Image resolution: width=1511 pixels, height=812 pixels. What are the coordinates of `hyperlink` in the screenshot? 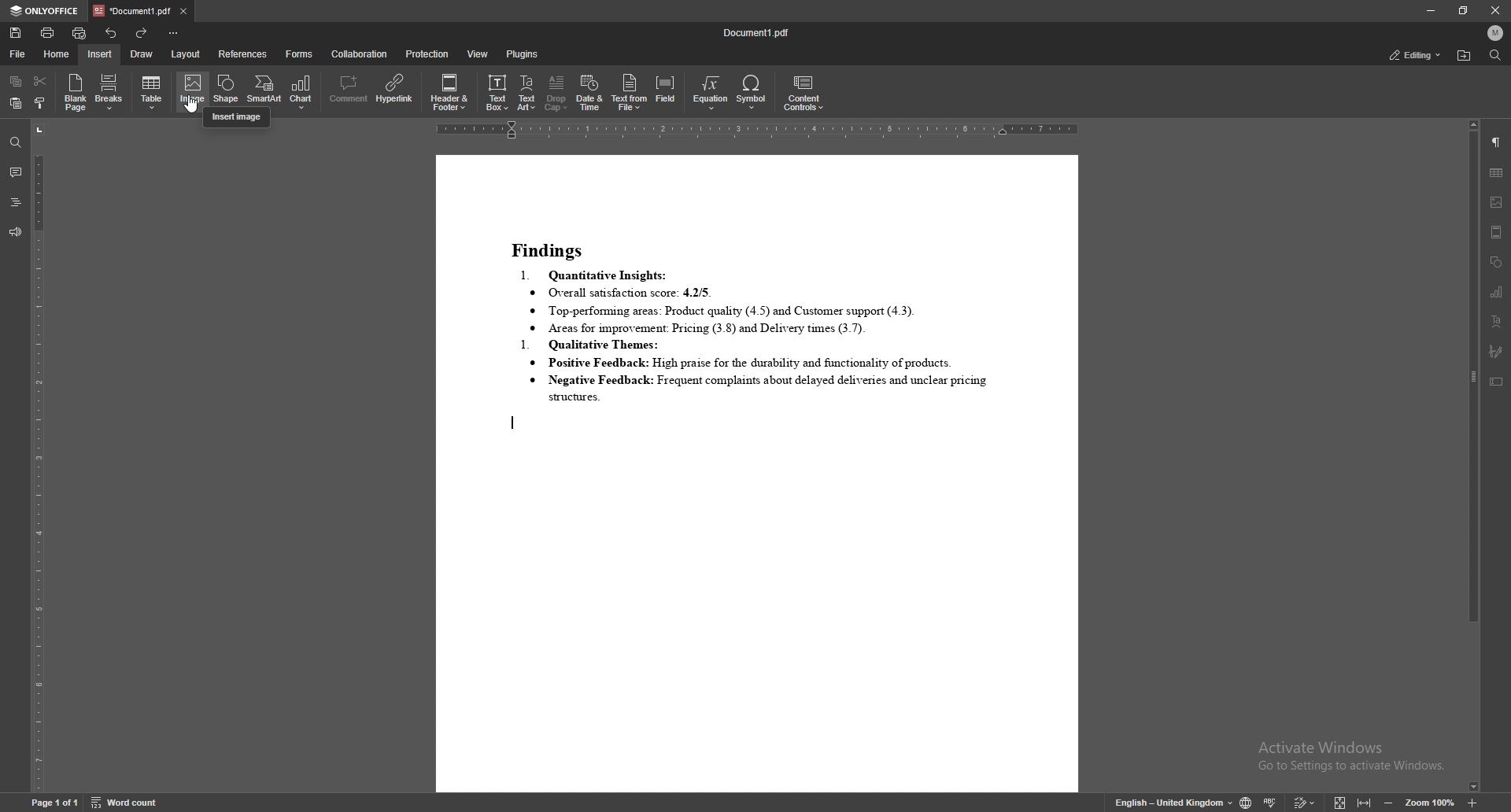 It's located at (393, 90).